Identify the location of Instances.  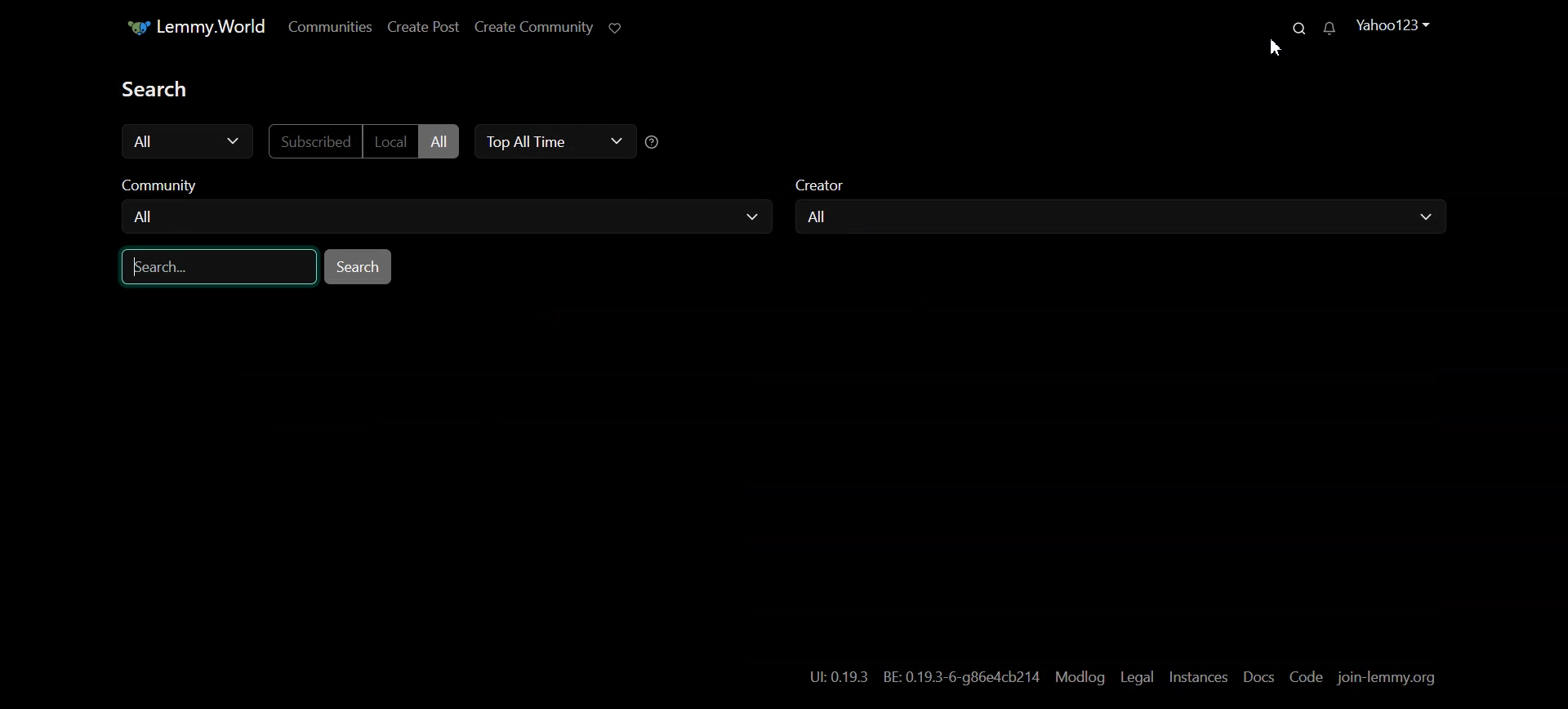
(1198, 676).